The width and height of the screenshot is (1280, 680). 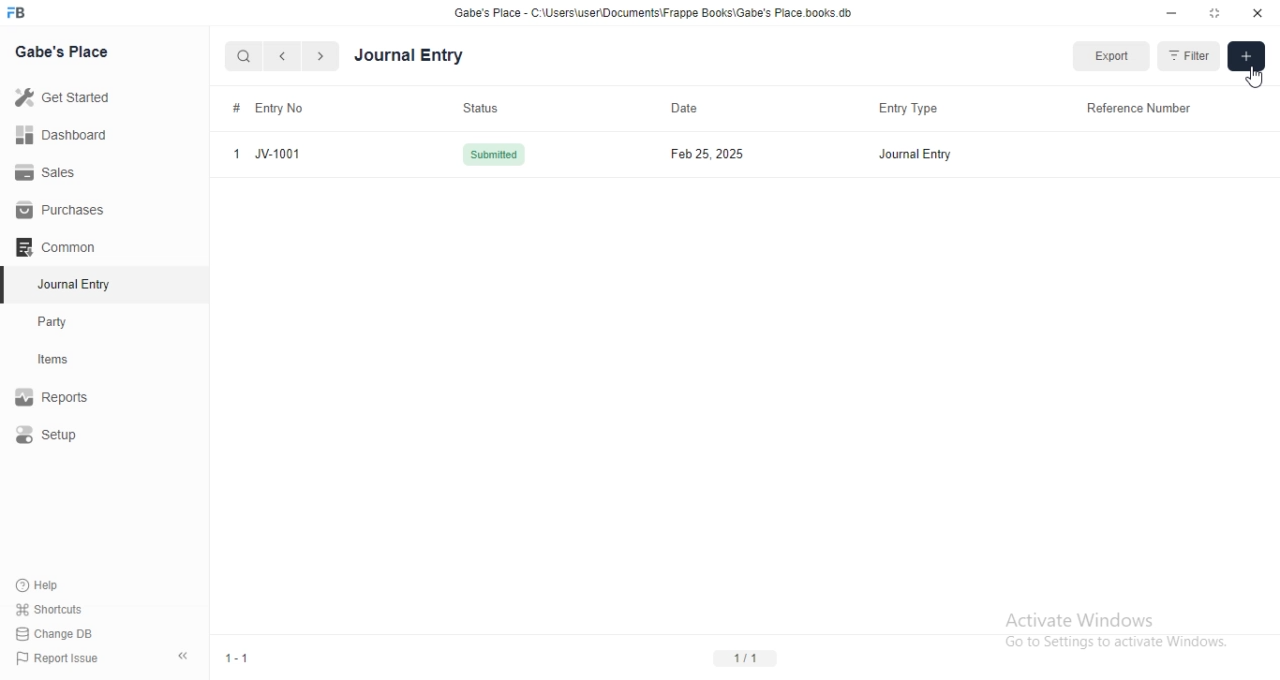 What do you see at coordinates (60, 247) in the screenshot?
I see `Common` at bounding box center [60, 247].